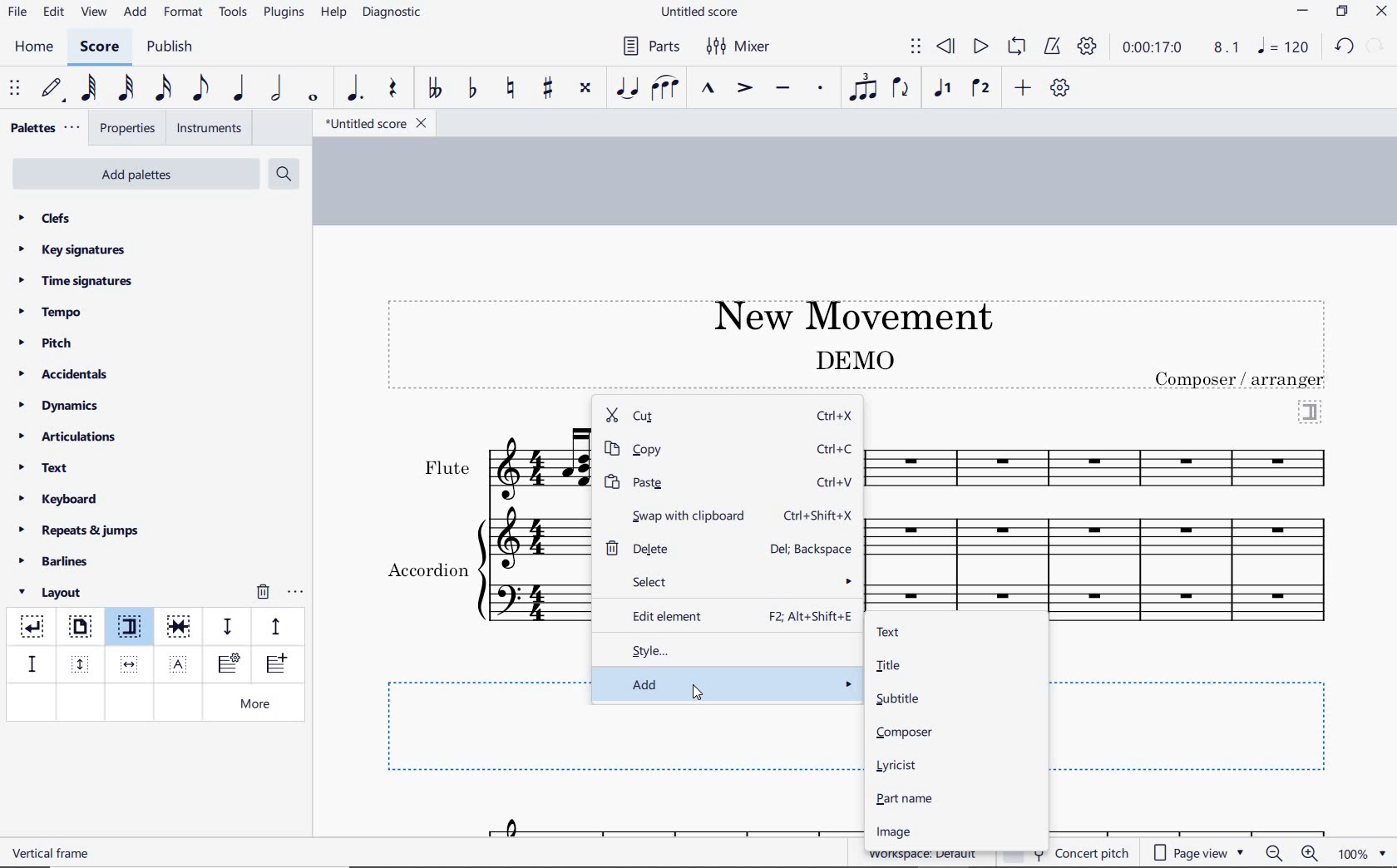 This screenshot has height=868, width=1397. Describe the element at coordinates (512, 89) in the screenshot. I see `toggle natural` at that location.